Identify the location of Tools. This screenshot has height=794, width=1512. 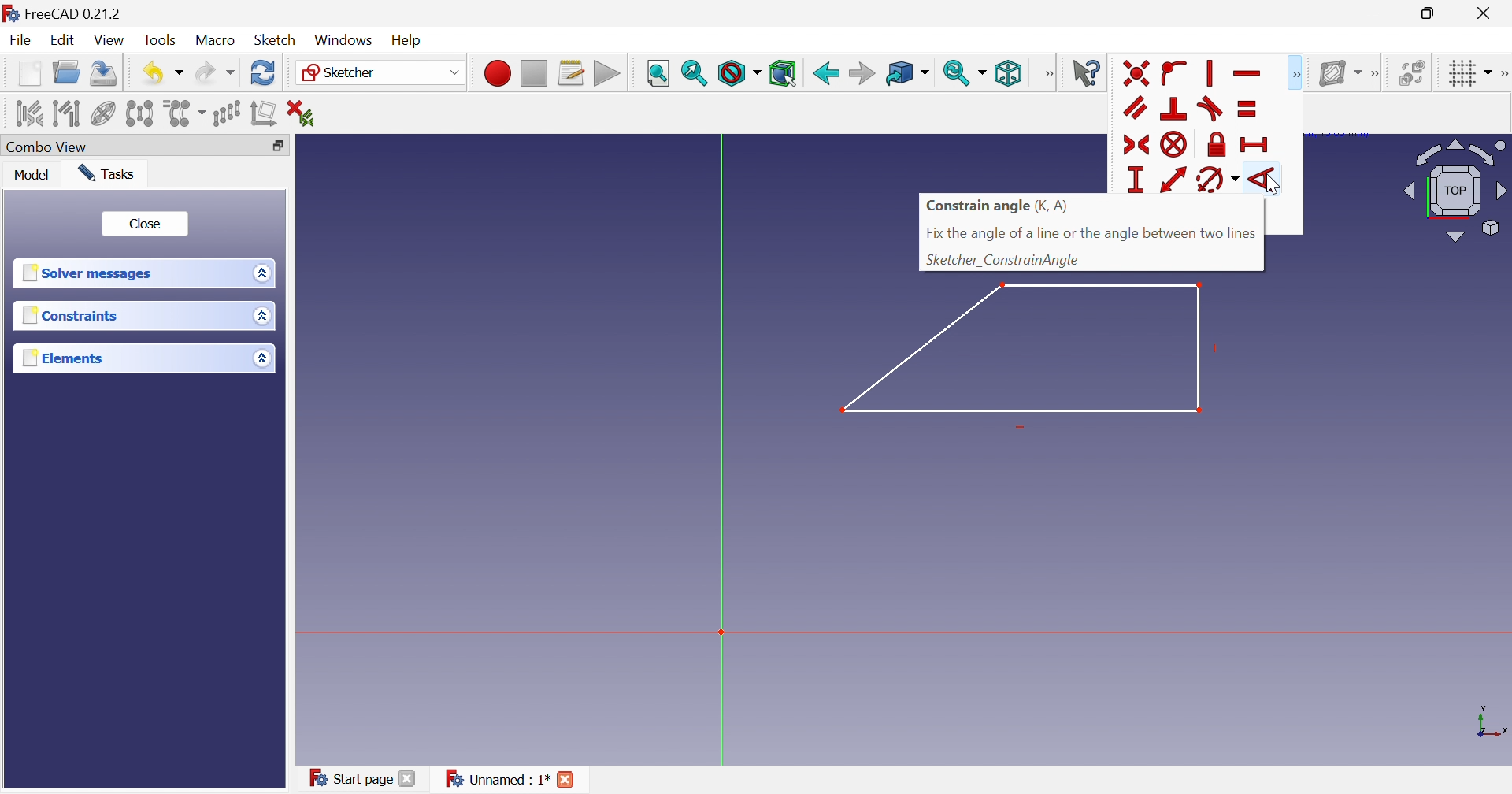
(162, 39).